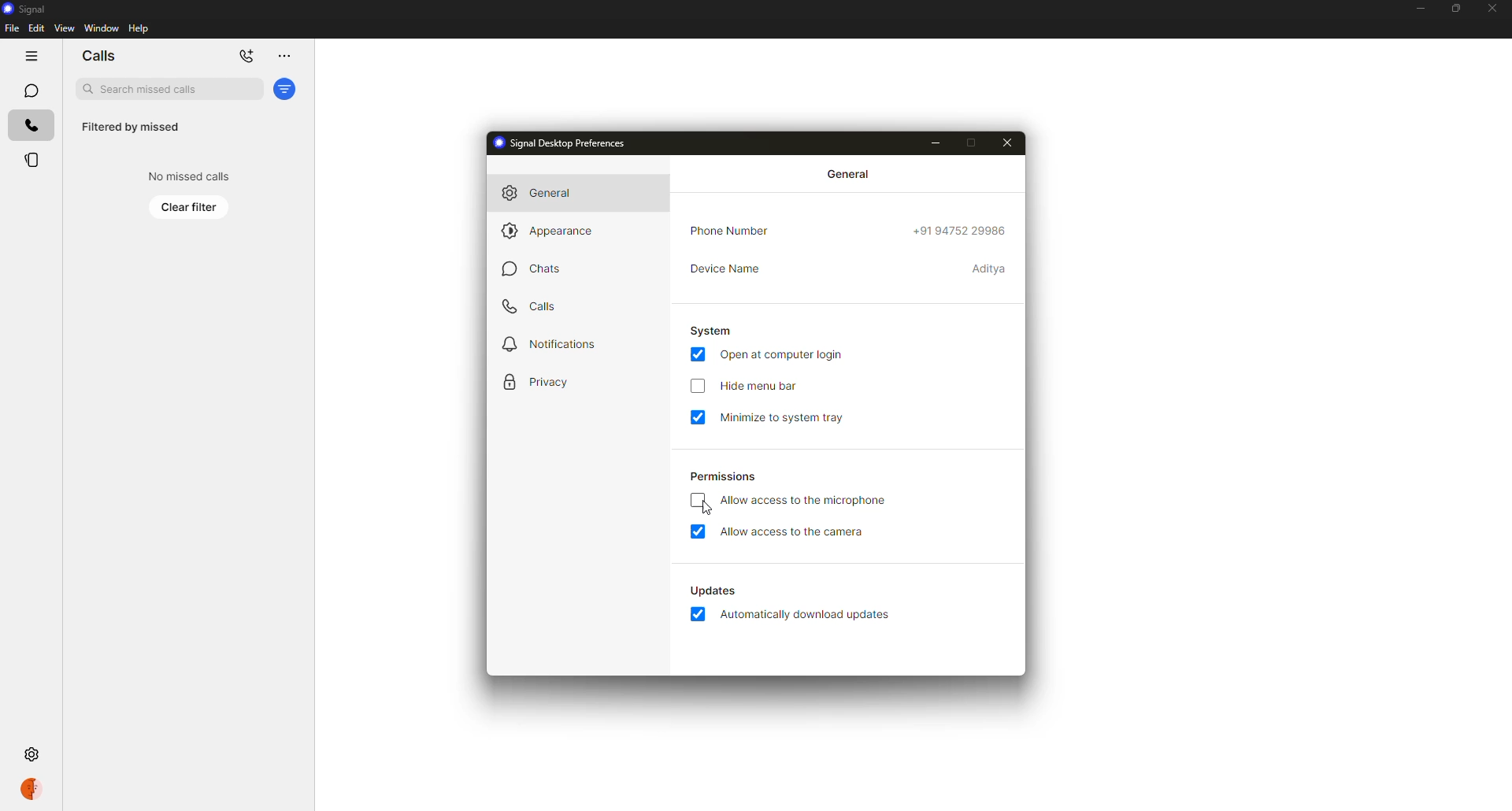 This screenshot has height=811, width=1512. I want to click on system, so click(713, 330).